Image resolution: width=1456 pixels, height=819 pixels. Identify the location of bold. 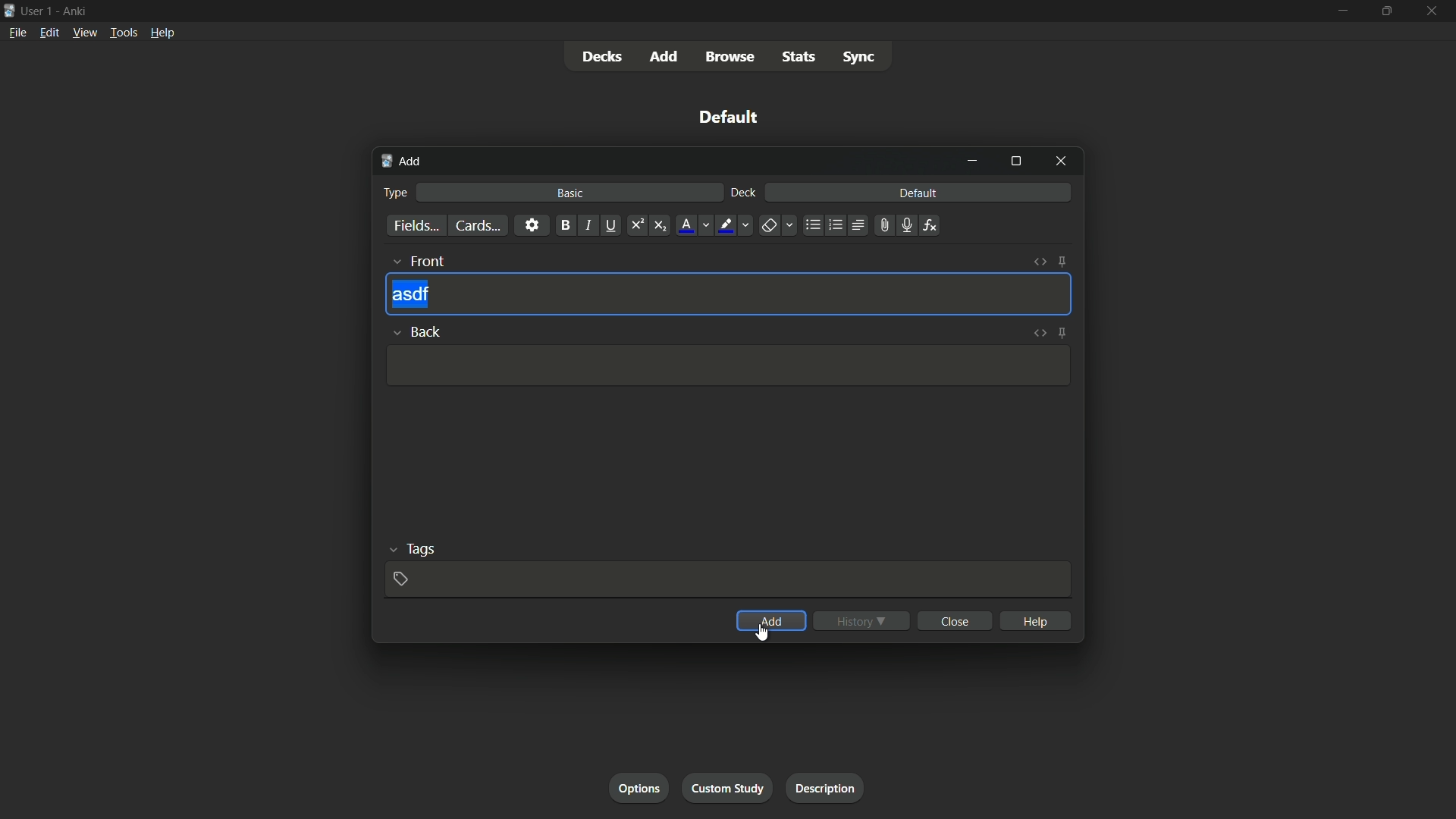
(564, 225).